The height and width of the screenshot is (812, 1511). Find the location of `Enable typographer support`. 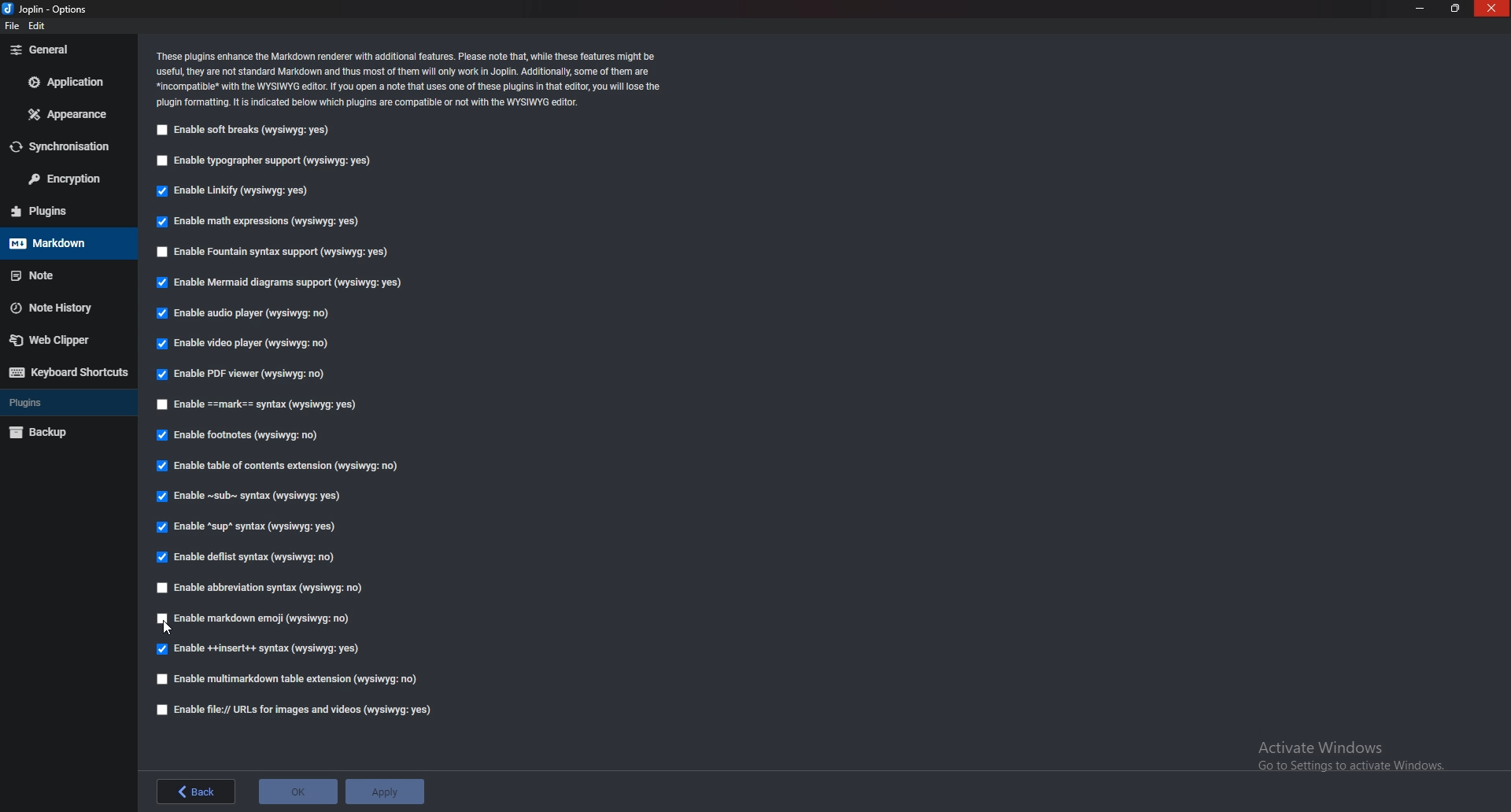

Enable typographer support is located at coordinates (275, 161).